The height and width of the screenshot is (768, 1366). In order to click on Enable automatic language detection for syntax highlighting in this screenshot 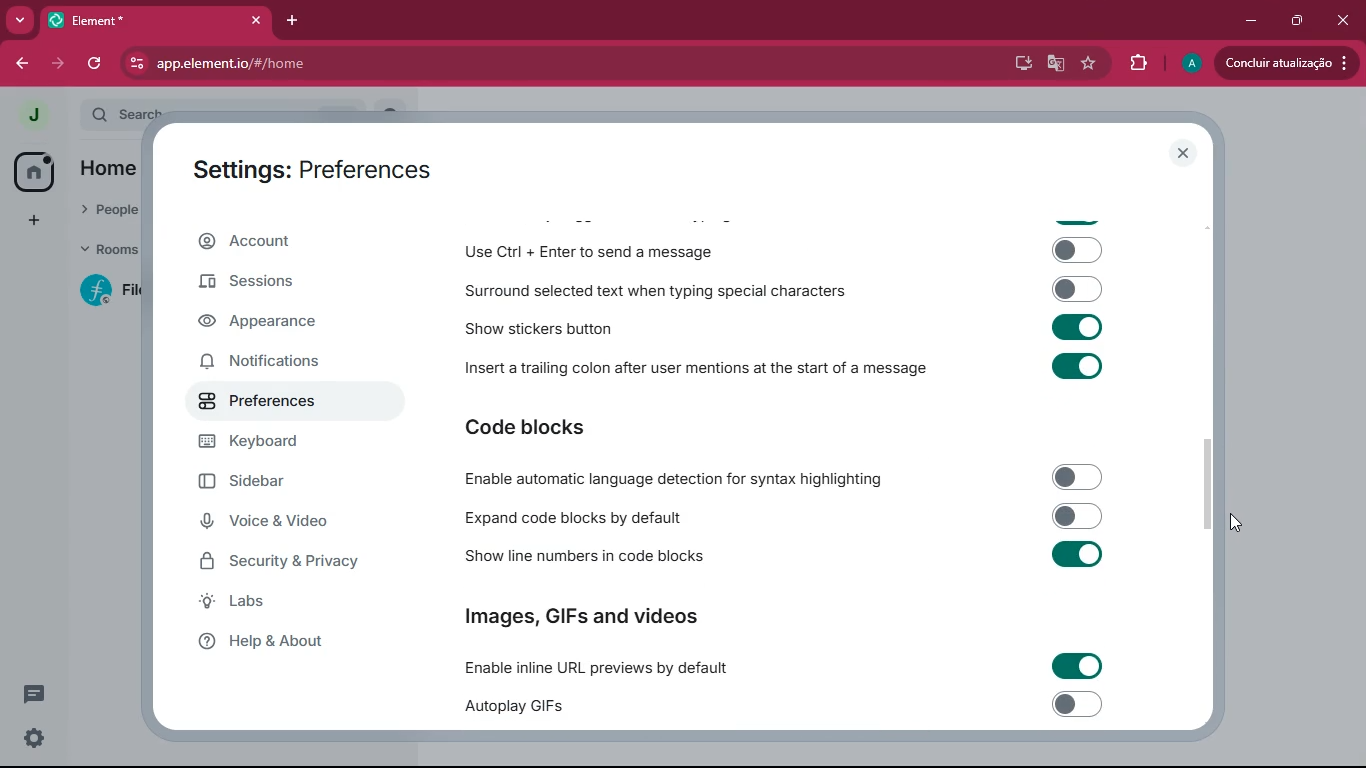, I will do `click(777, 478)`.